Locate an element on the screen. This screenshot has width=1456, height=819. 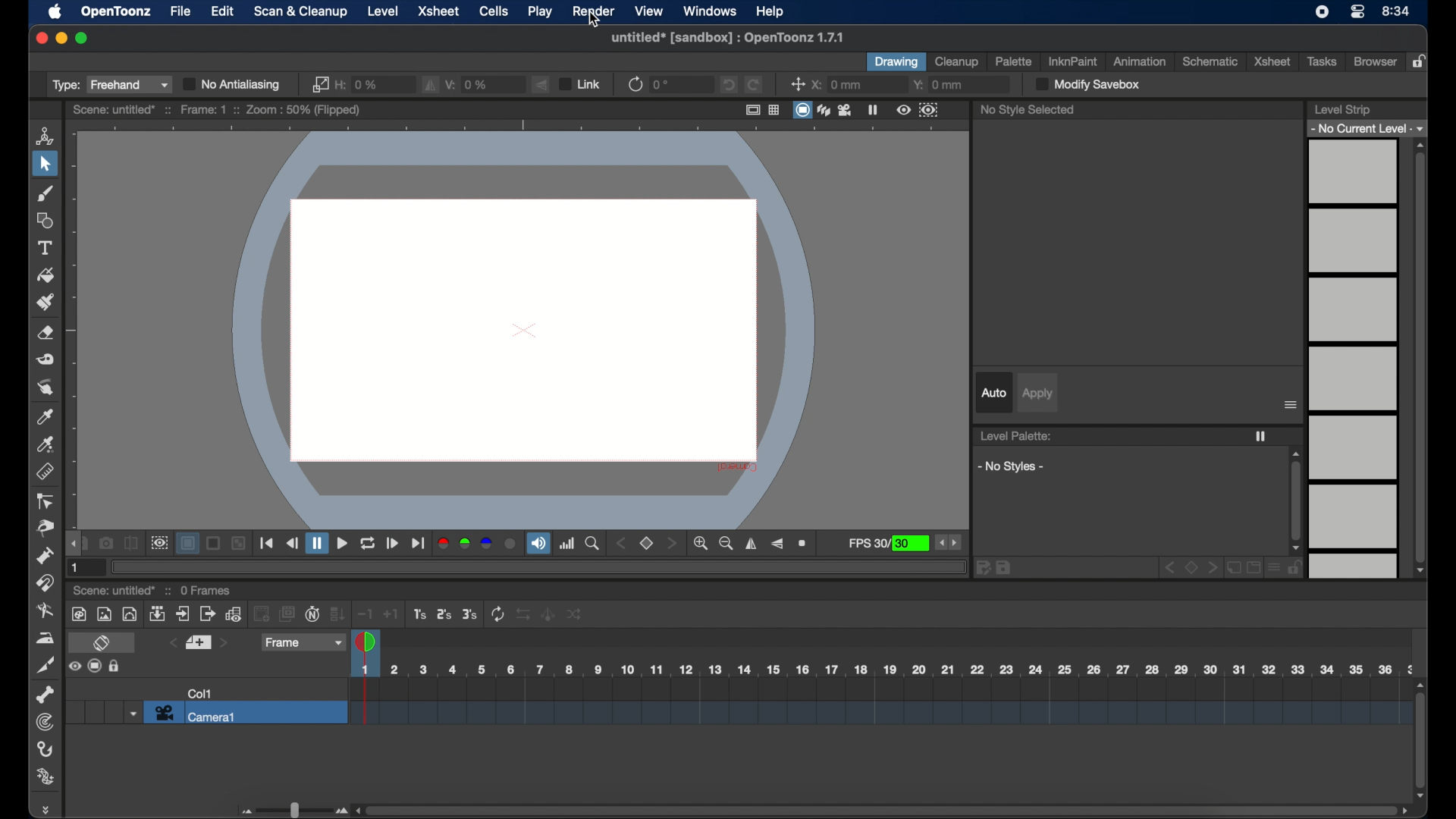
histogram is located at coordinates (567, 543).